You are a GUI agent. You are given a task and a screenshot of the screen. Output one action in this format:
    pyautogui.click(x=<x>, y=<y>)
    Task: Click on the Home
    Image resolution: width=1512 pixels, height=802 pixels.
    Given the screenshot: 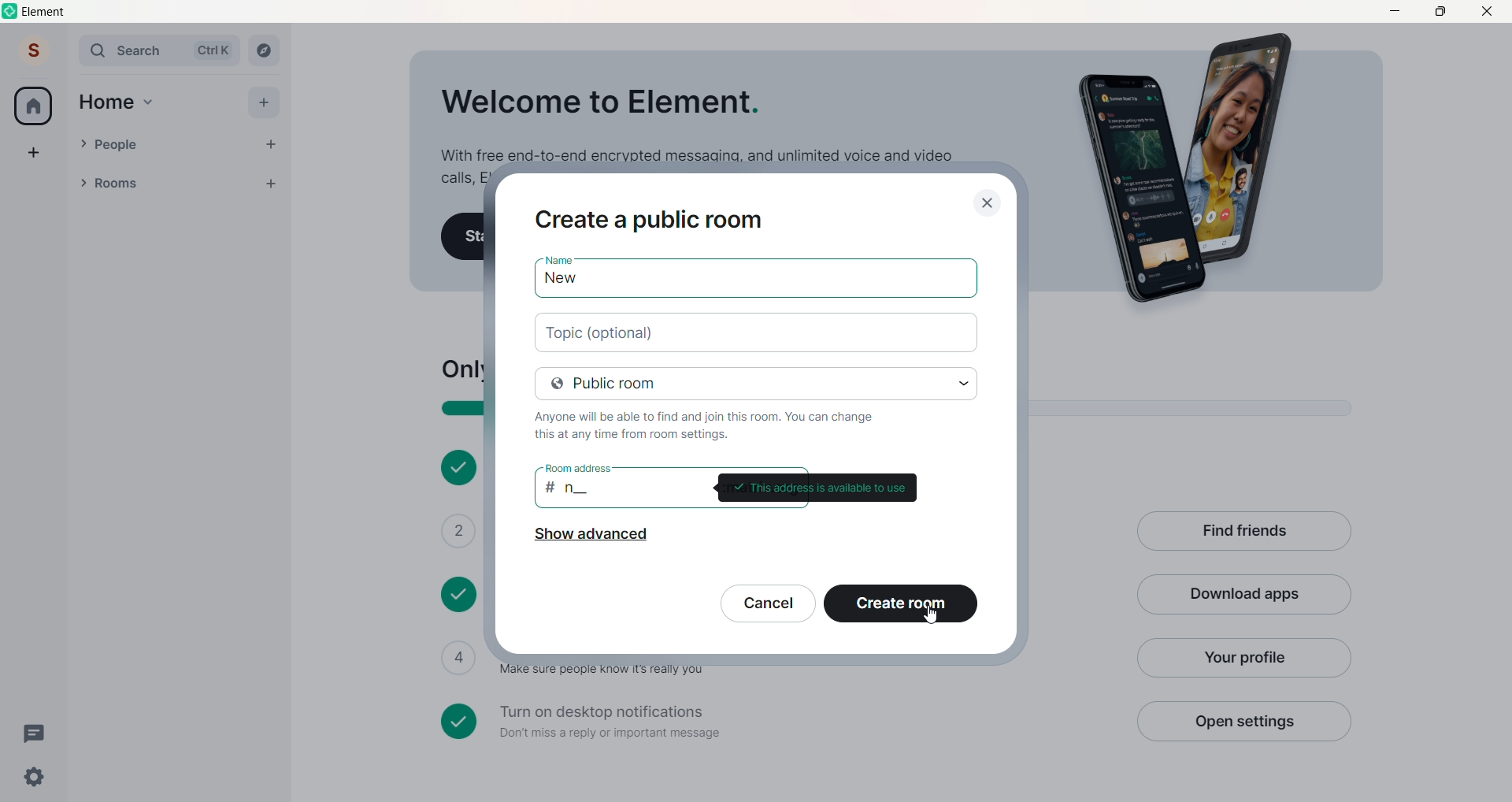 What is the action you would take?
    pyautogui.click(x=106, y=102)
    